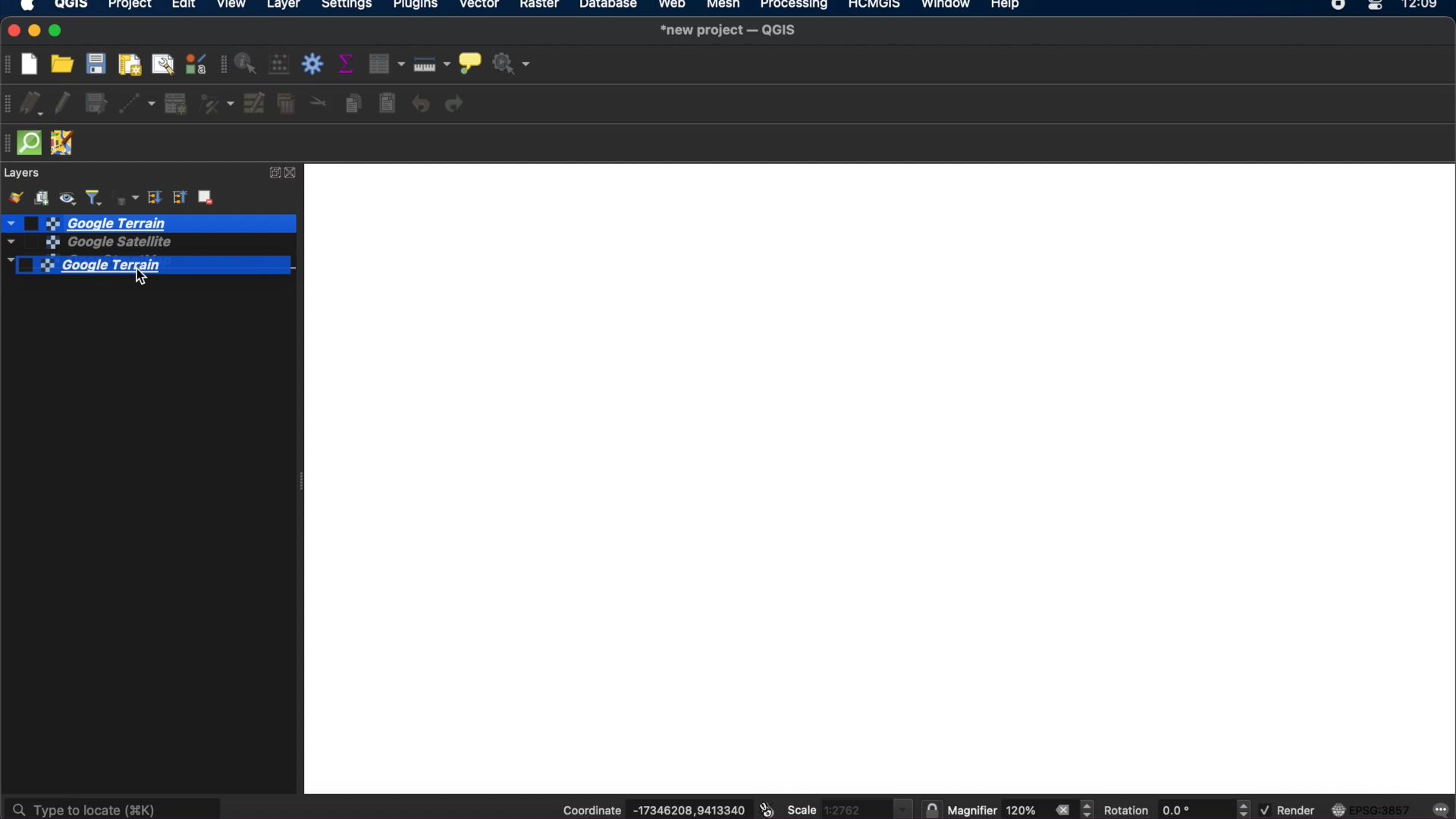 This screenshot has width=1456, height=819. What do you see at coordinates (33, 143) in the screenshot?
I see `quickOSm` at bounding box center [33, 143].